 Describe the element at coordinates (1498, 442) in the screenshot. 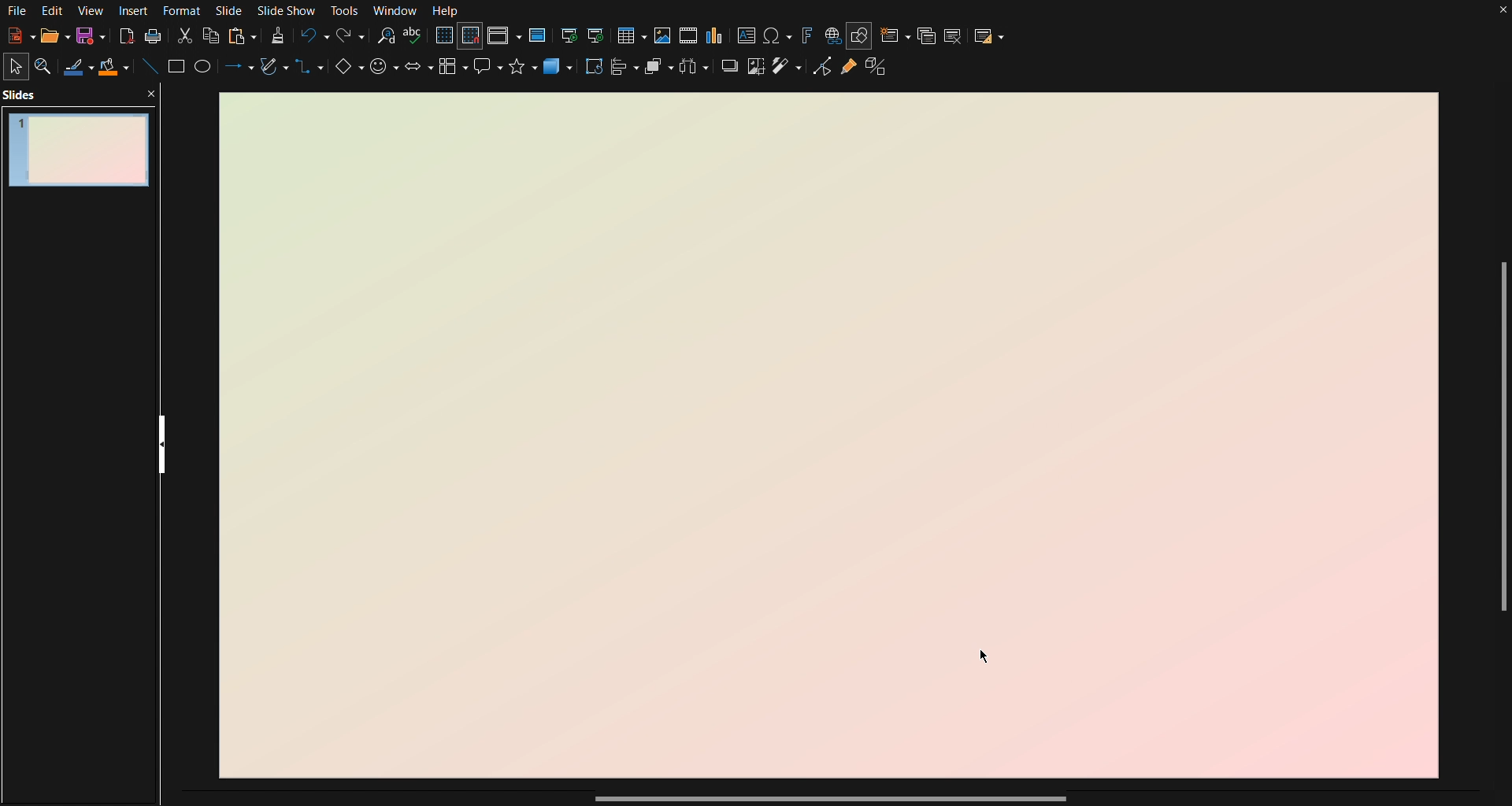

I see `Scrollbar` at that location.